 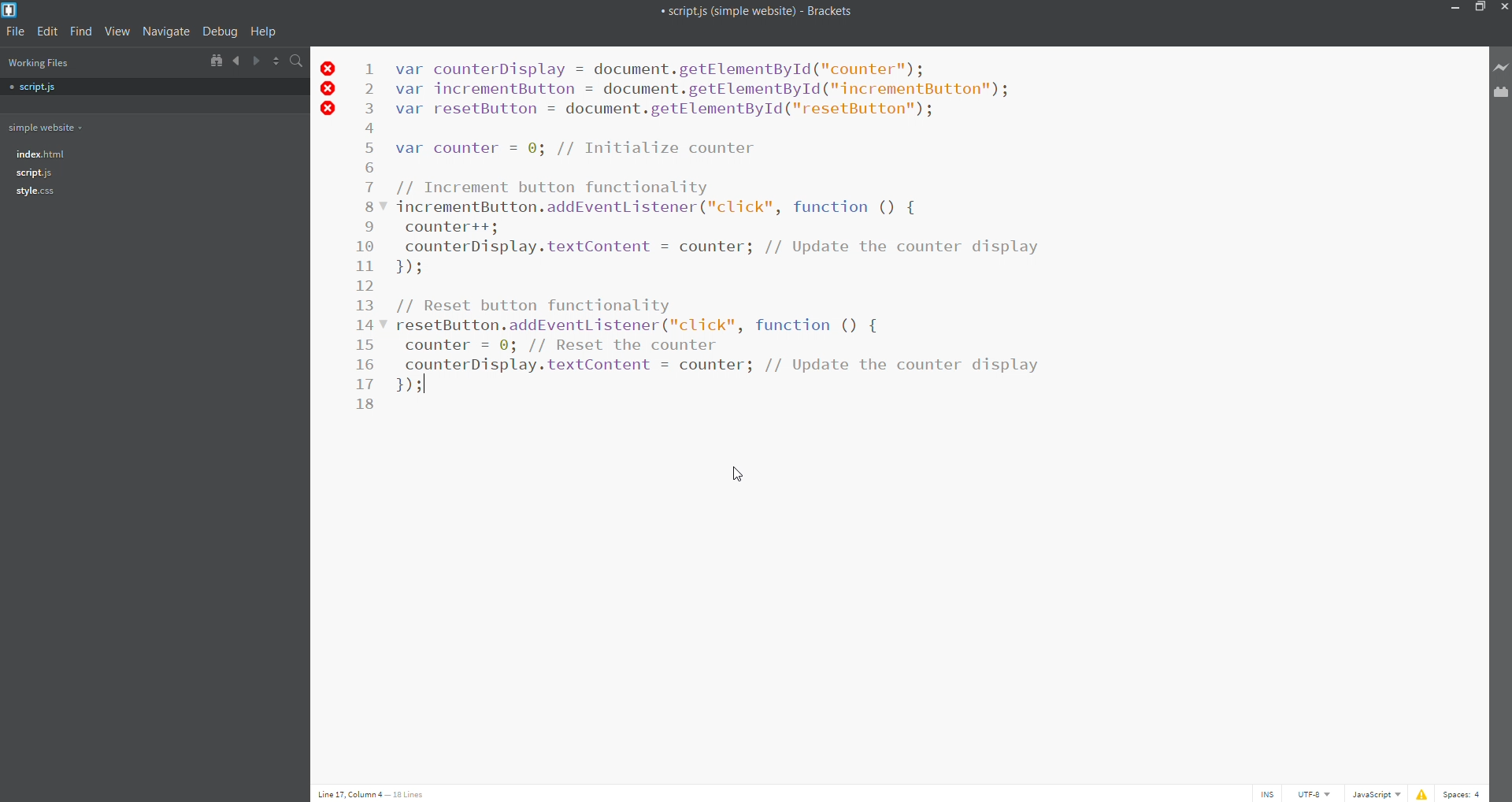 What do you see at coordinates (257, 61) in the screenshot?
I see `navigate forward` at bounding box center [257, 61].